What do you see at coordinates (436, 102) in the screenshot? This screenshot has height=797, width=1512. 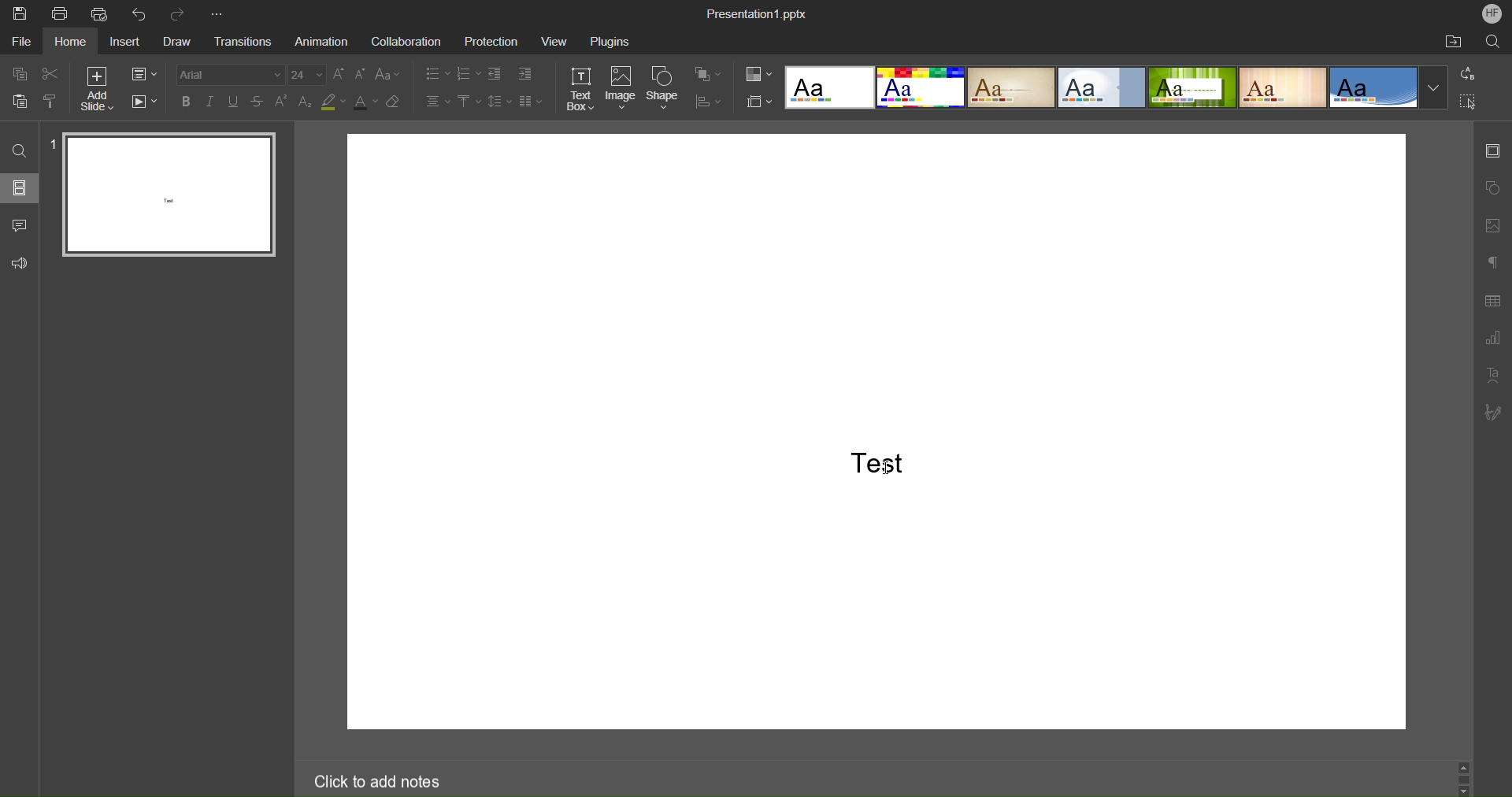 I see `Text Alignment` at bounding box center [436, 102].